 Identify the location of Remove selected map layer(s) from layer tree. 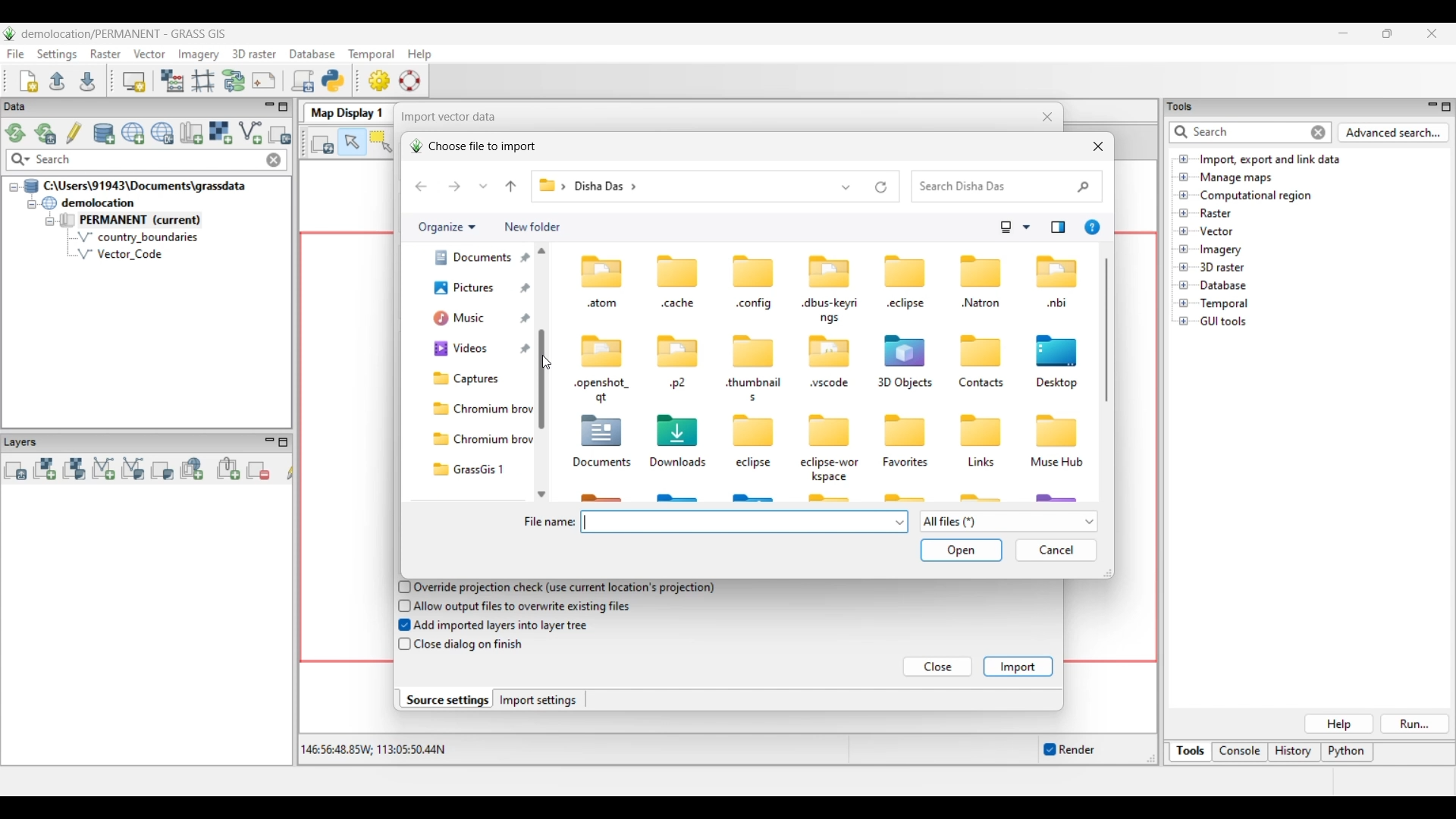
(259, 469).